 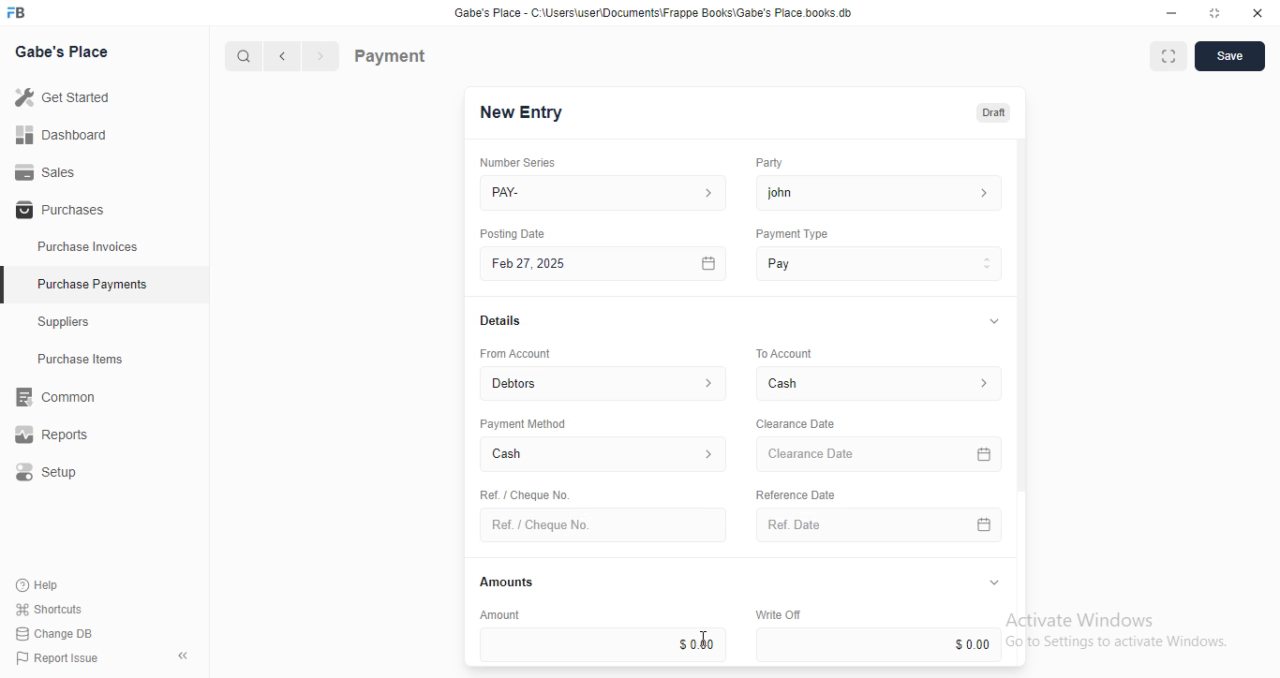 What do you see at coordinates (794, 424) in the screenshot?
I see `Clearance Date` at bounding box center [794, 424].